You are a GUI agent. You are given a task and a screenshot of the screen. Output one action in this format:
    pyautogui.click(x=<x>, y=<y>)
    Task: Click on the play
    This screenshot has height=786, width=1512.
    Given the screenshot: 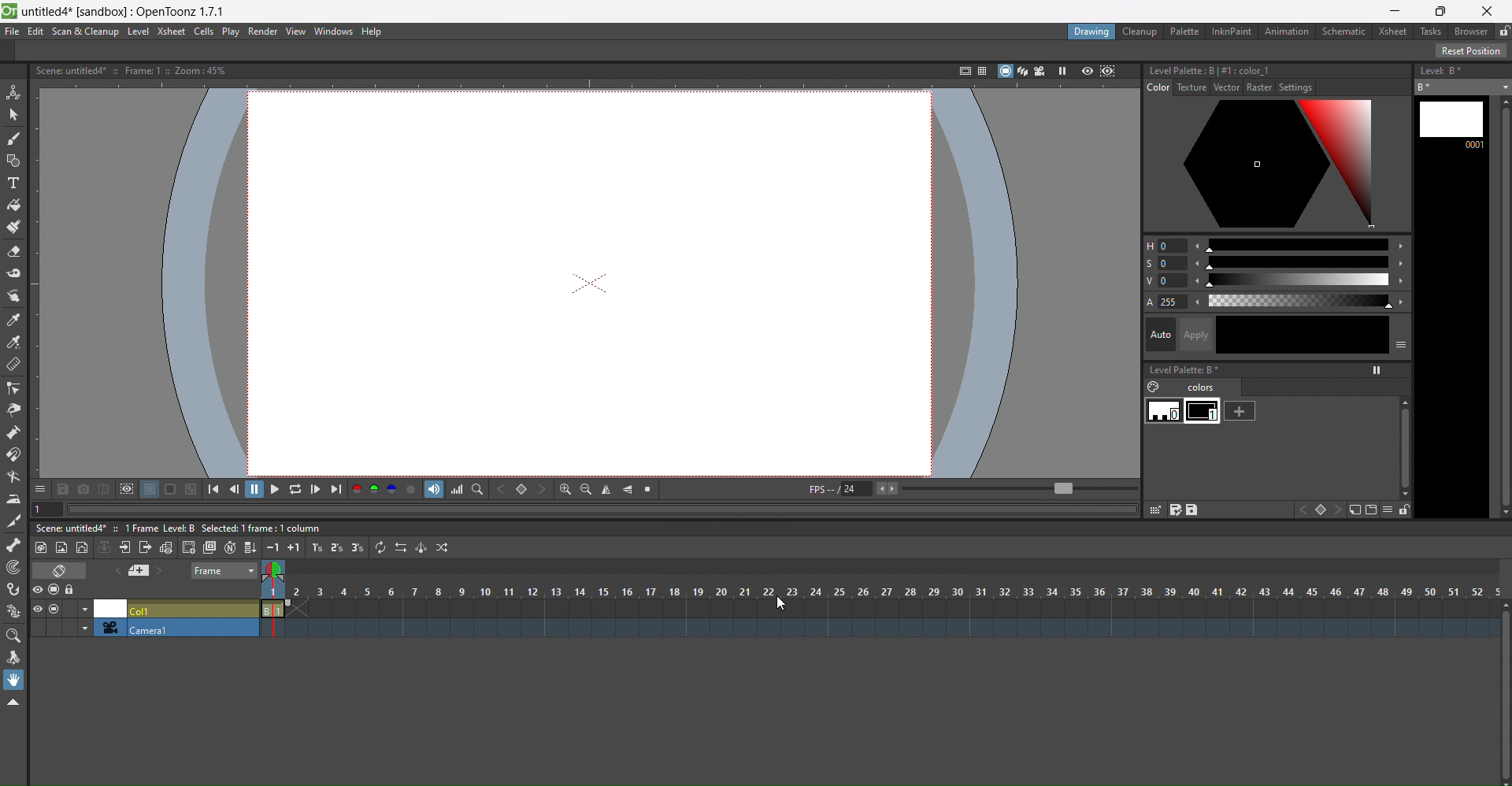 What is the action you would take?
    pyautogui.click(x=232, y=32)
    